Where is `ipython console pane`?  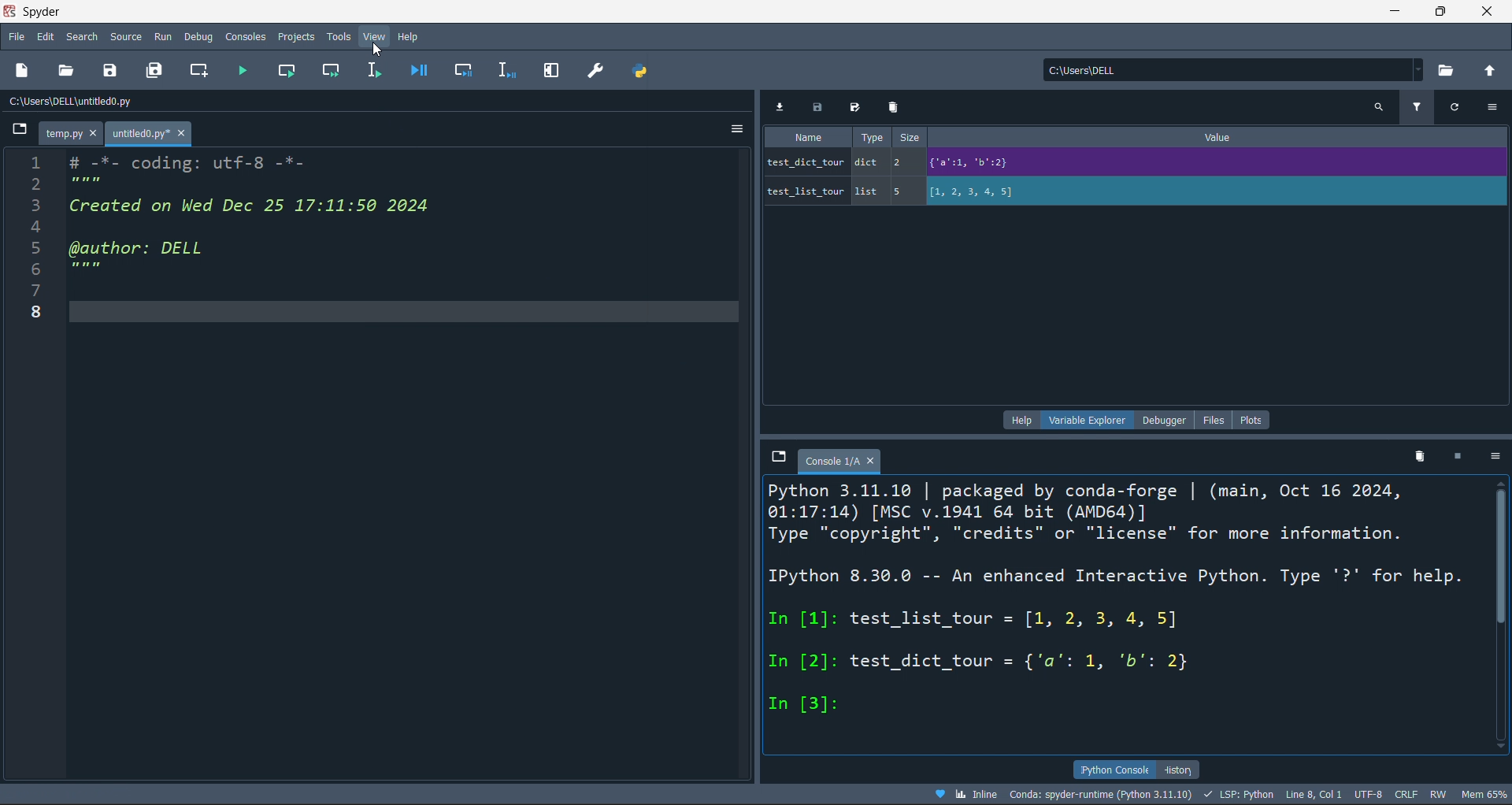
ipython console pane is located at coordinates (1125, 613).